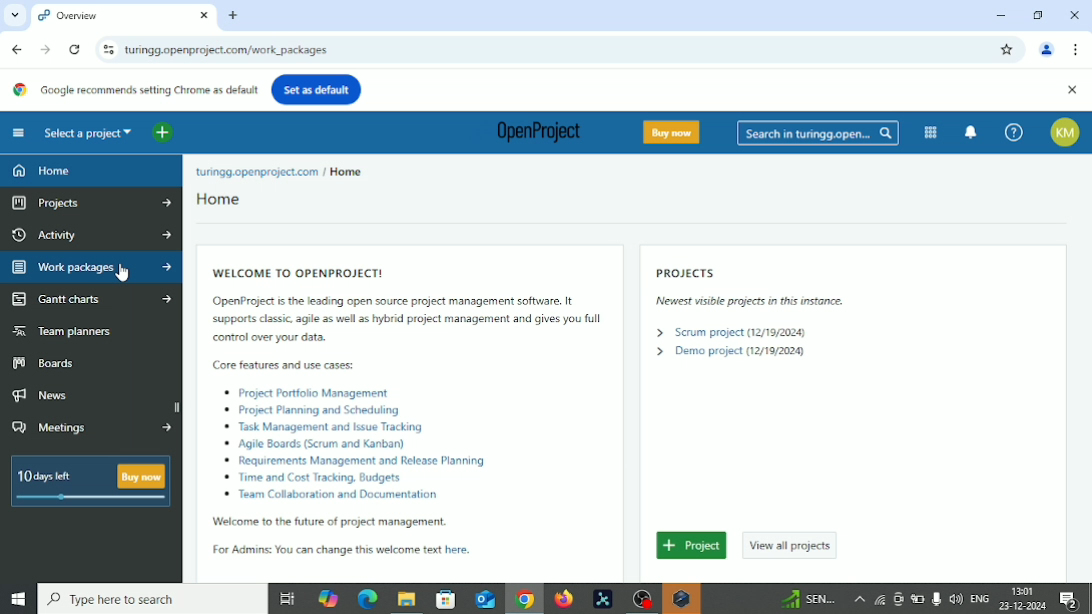 This screenshot has width=1092, height=614. Describe the element at coordinates (17, 600) in the screenshot. I see `Windows` at that location.